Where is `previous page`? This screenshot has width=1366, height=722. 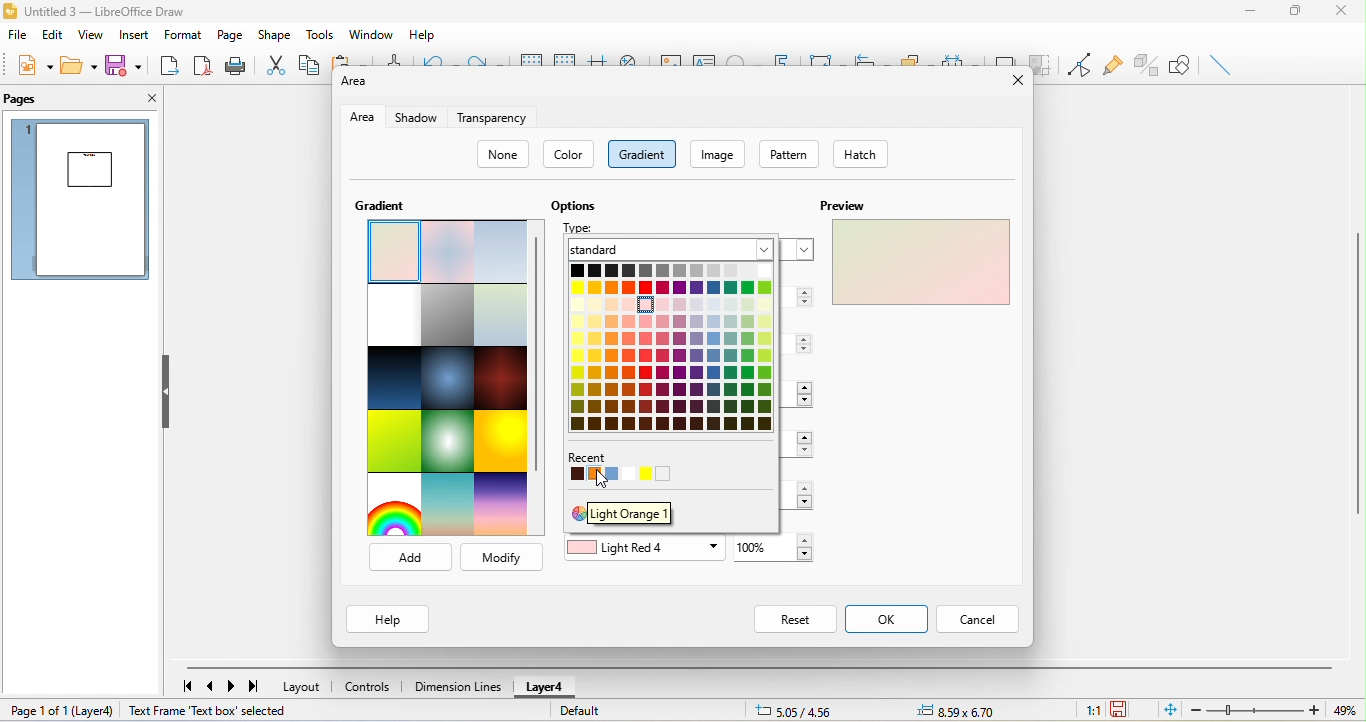
previous page is located at coordinates (213, 687).